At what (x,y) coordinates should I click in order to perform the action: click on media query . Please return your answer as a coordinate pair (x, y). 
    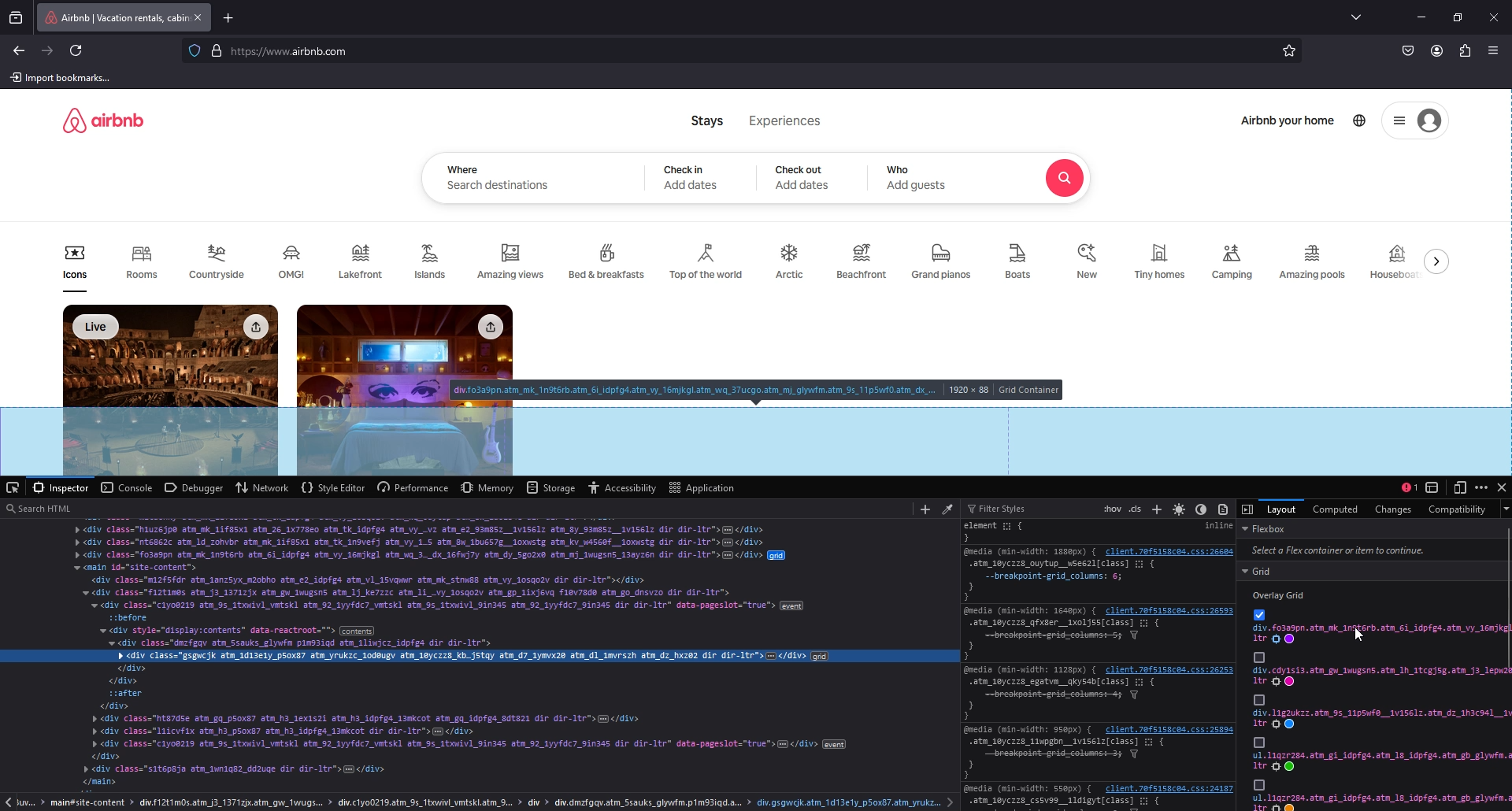
    Looking at the image, I should click on (1028, 789).